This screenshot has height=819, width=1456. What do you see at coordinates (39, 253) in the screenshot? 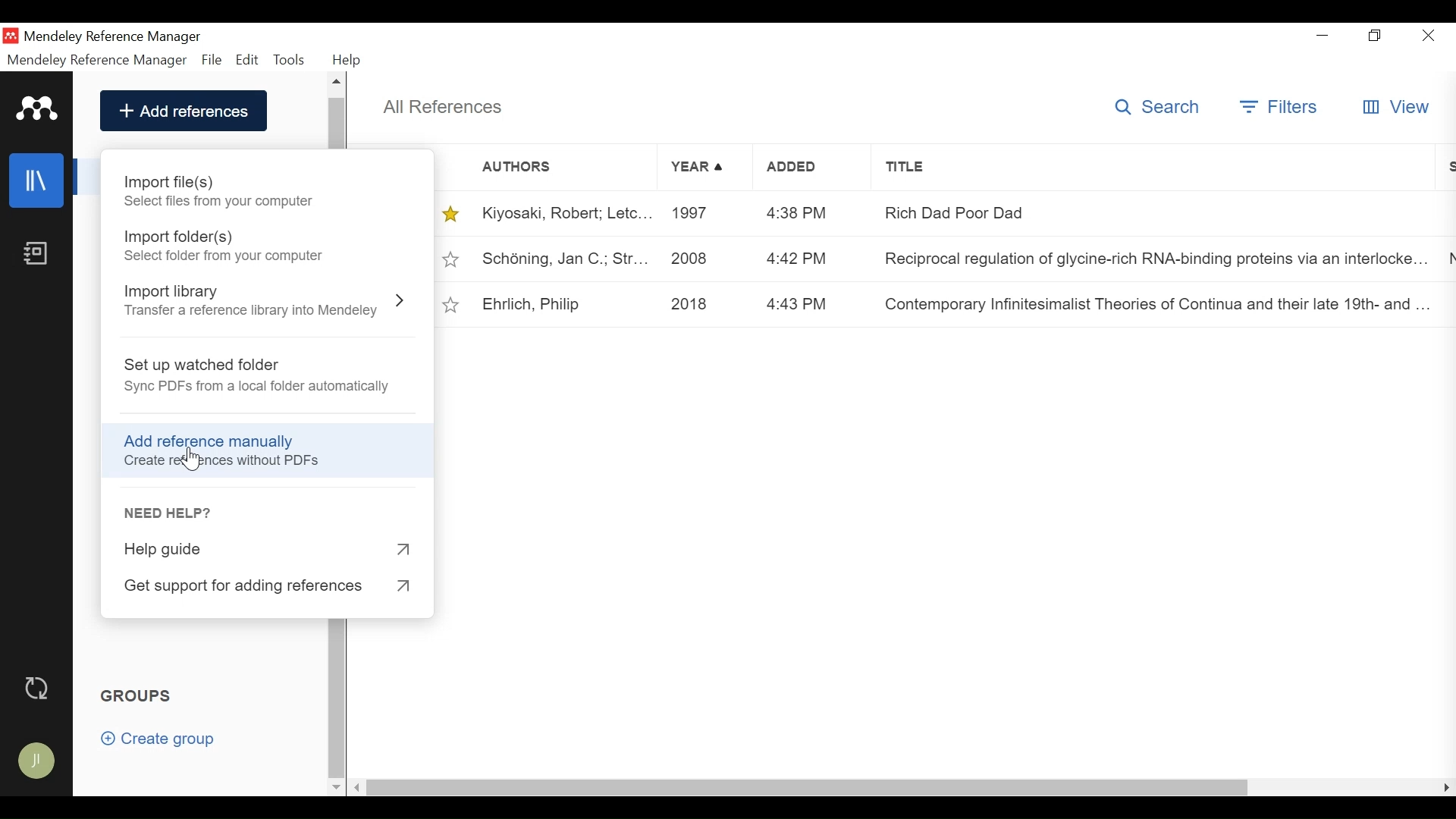
I see `Notees` at bounding box center [39, 253].